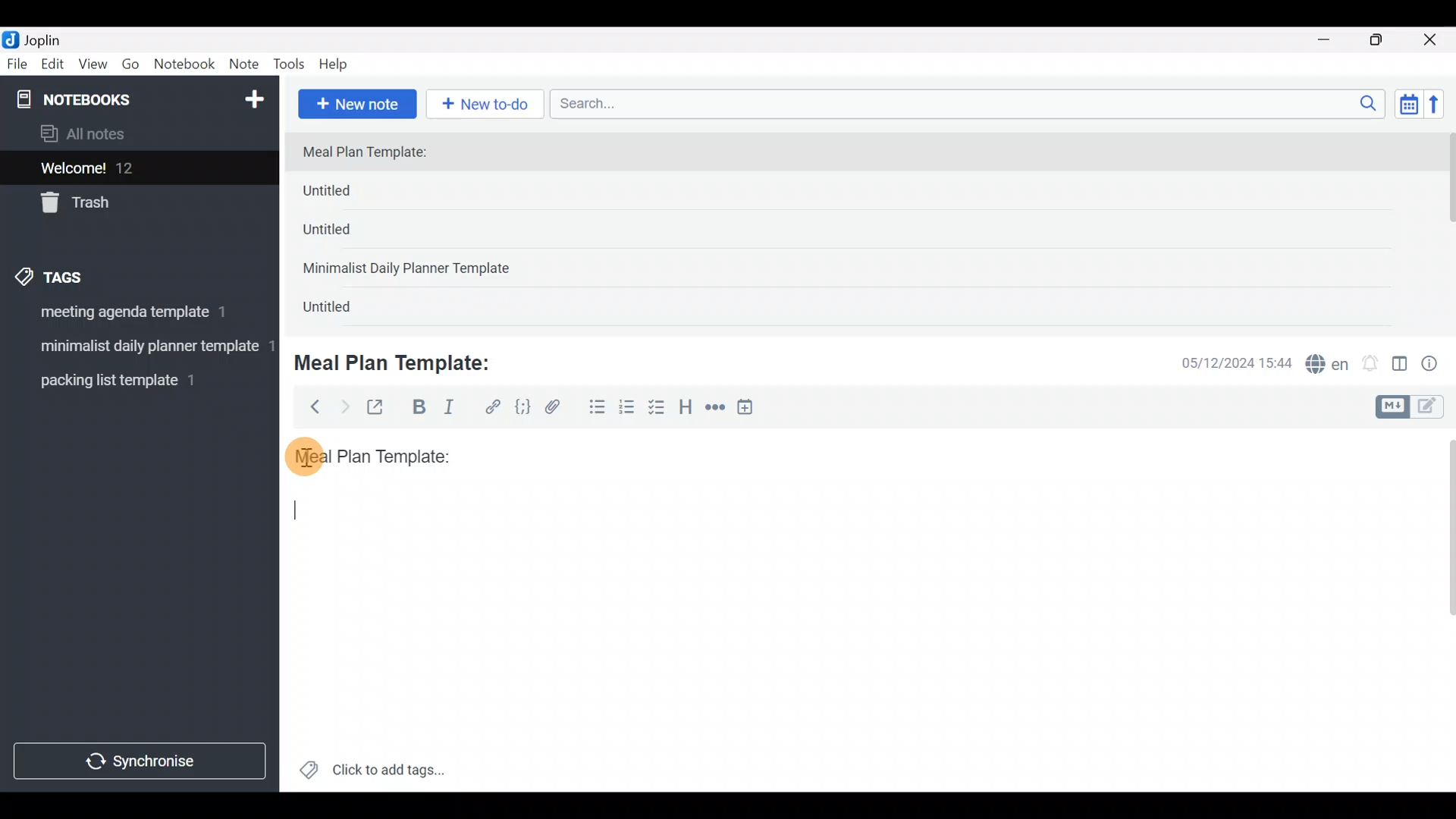 Image resolution: width=1456 pixels, height=819 pixels. Describe the element at coordinates (107, 99) in the screenshot. I see `Notebooks` at that location.